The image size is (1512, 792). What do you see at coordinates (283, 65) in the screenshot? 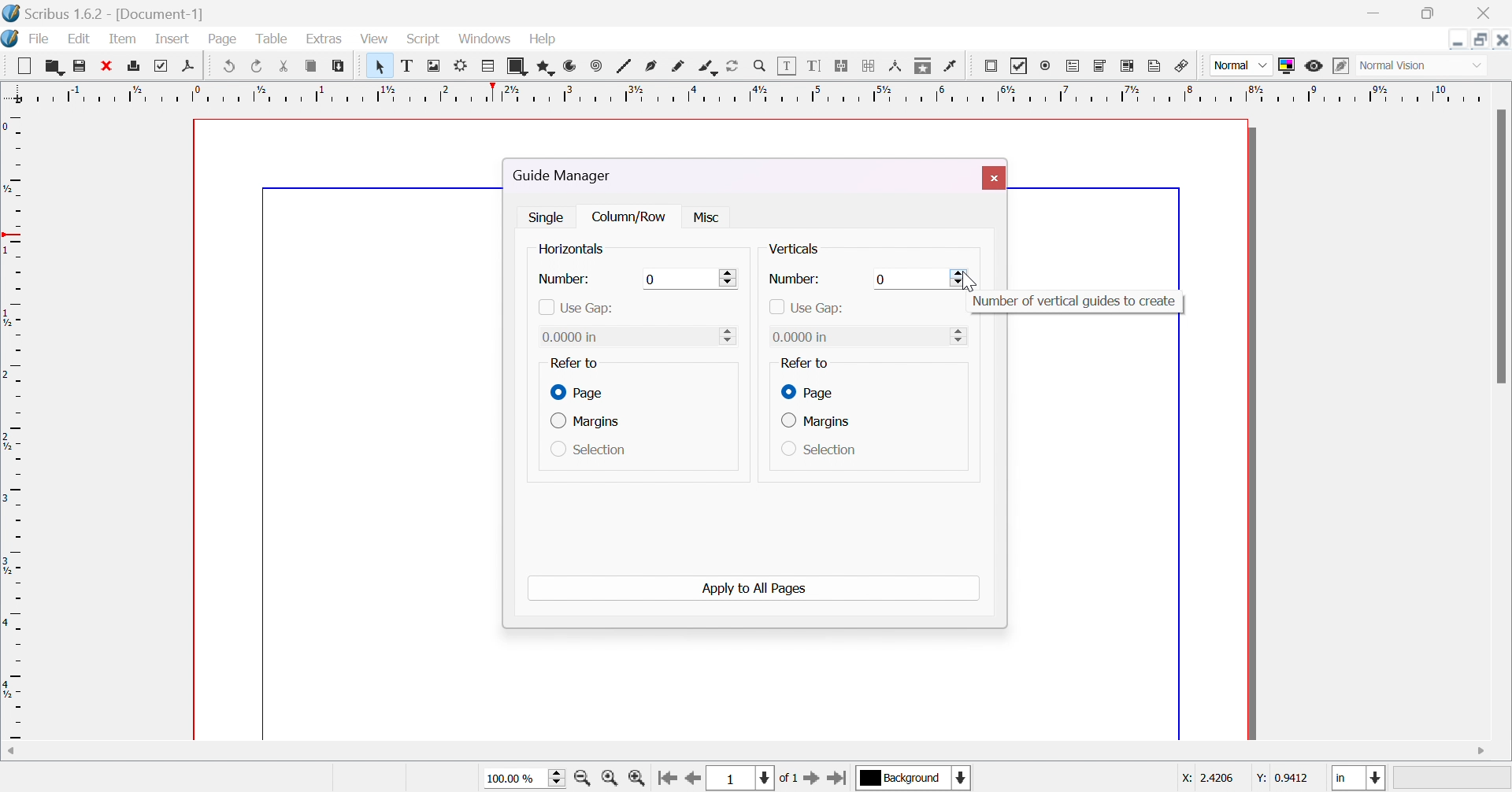
I see `cut` at bounding box center [283, 65].